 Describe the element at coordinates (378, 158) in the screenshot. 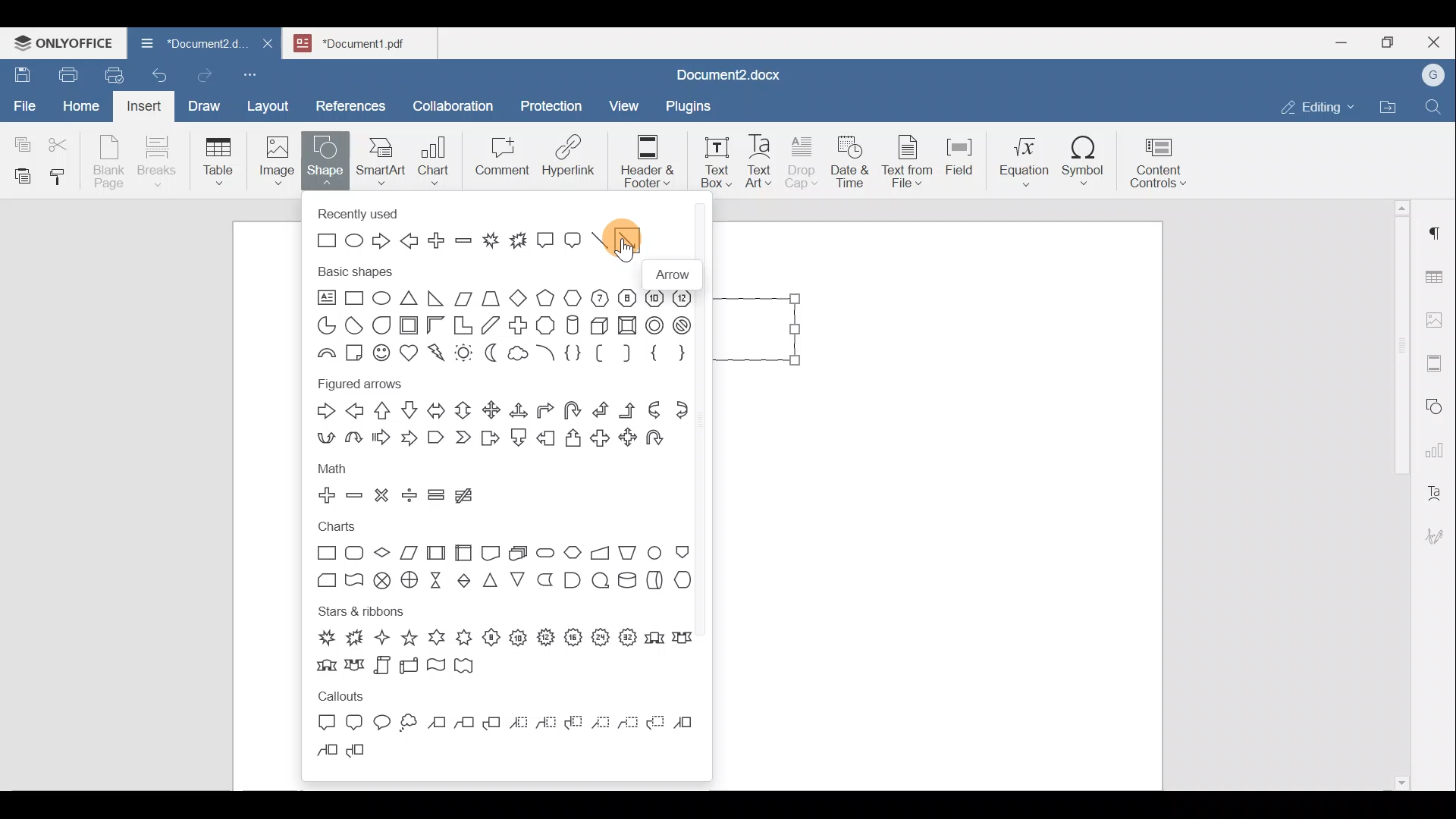

I see `SmartArt` at that location.